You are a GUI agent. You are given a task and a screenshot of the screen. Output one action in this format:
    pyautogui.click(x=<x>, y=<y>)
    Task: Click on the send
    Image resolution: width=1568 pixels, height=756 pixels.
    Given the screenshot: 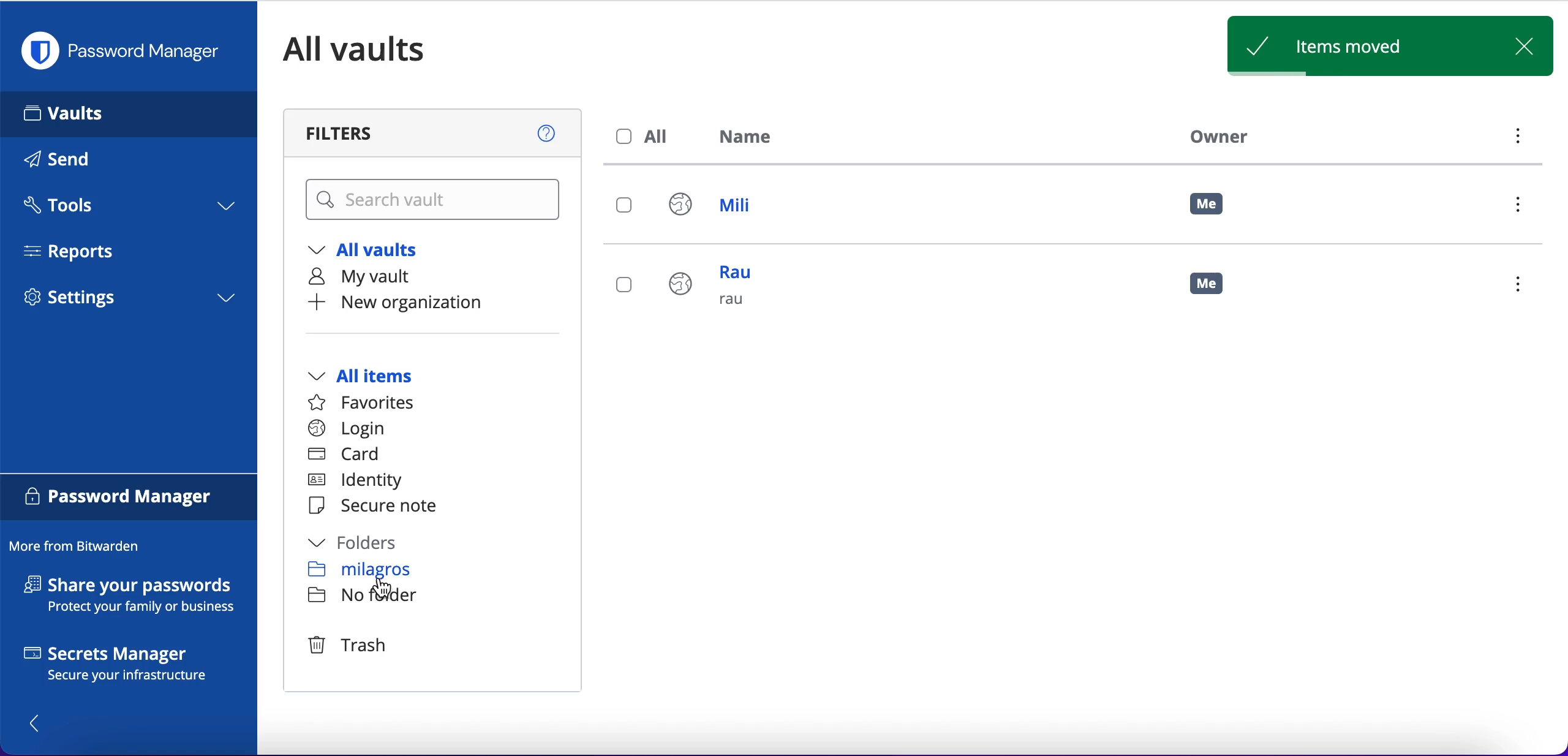 What is the action you would take?
    pyautogui.click(x=75, y=162)
    